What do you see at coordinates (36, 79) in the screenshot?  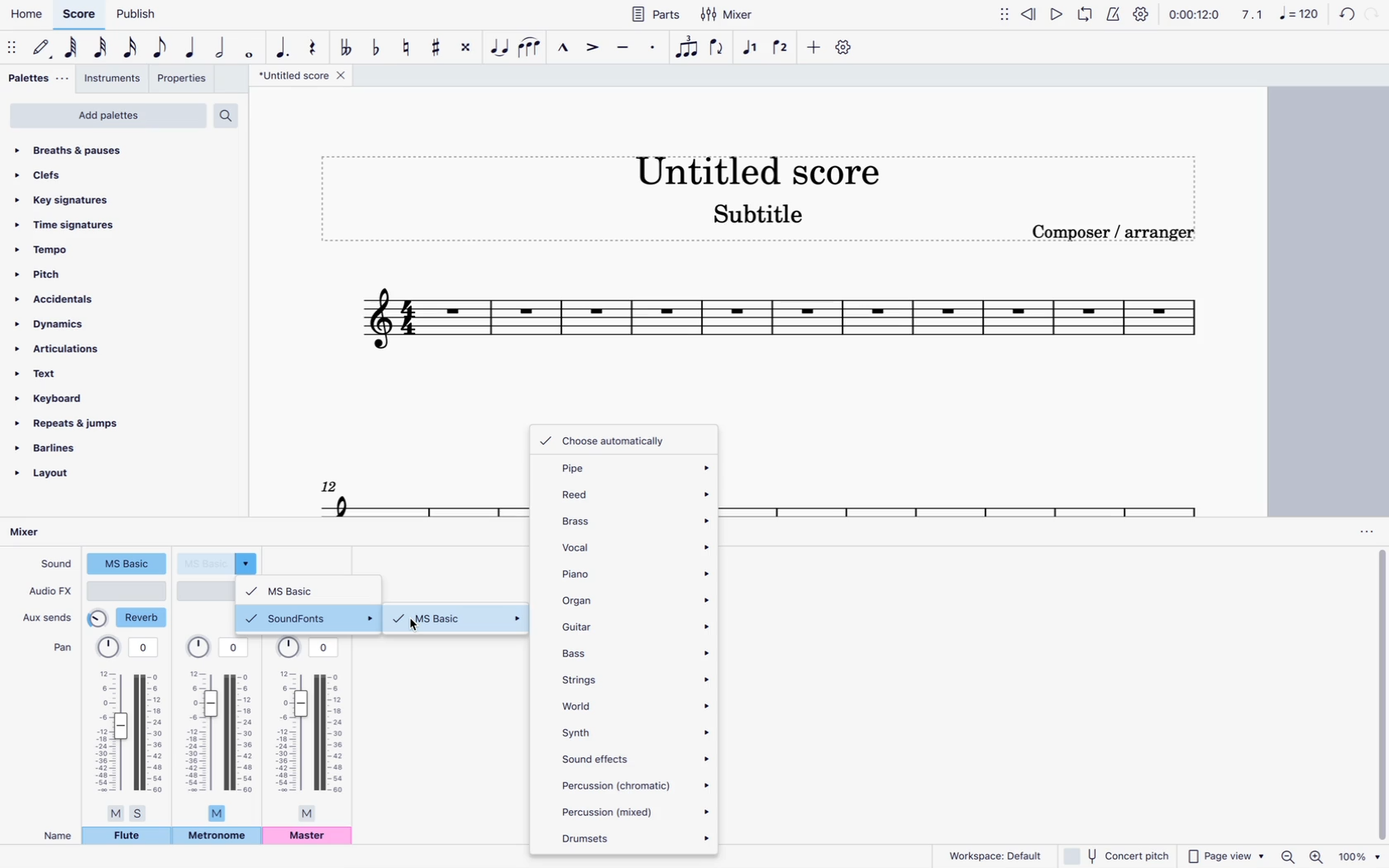 I see `palettes` at bounding box center [36, 79].